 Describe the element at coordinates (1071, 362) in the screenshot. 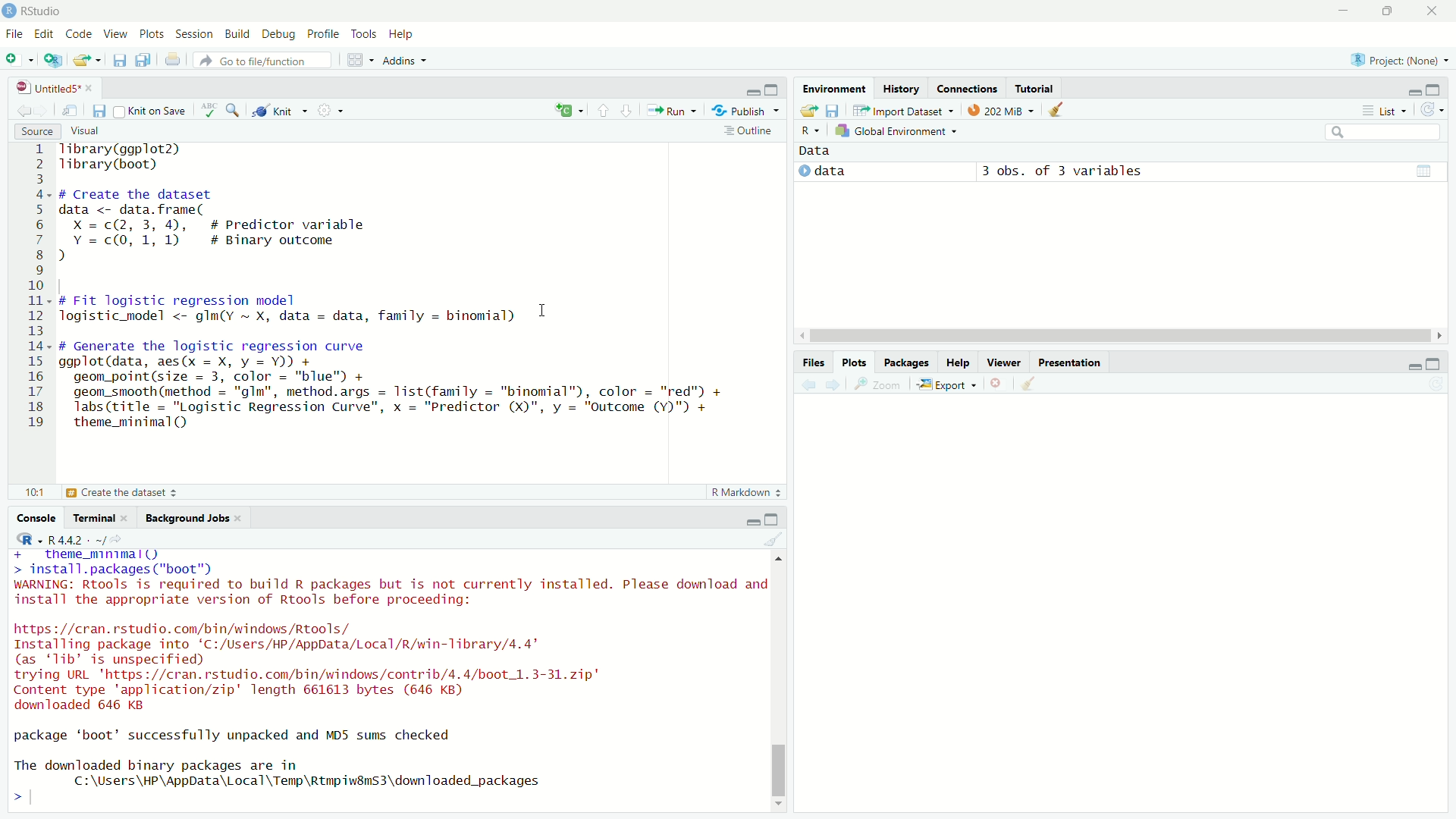

I see `Presentation` at that location.